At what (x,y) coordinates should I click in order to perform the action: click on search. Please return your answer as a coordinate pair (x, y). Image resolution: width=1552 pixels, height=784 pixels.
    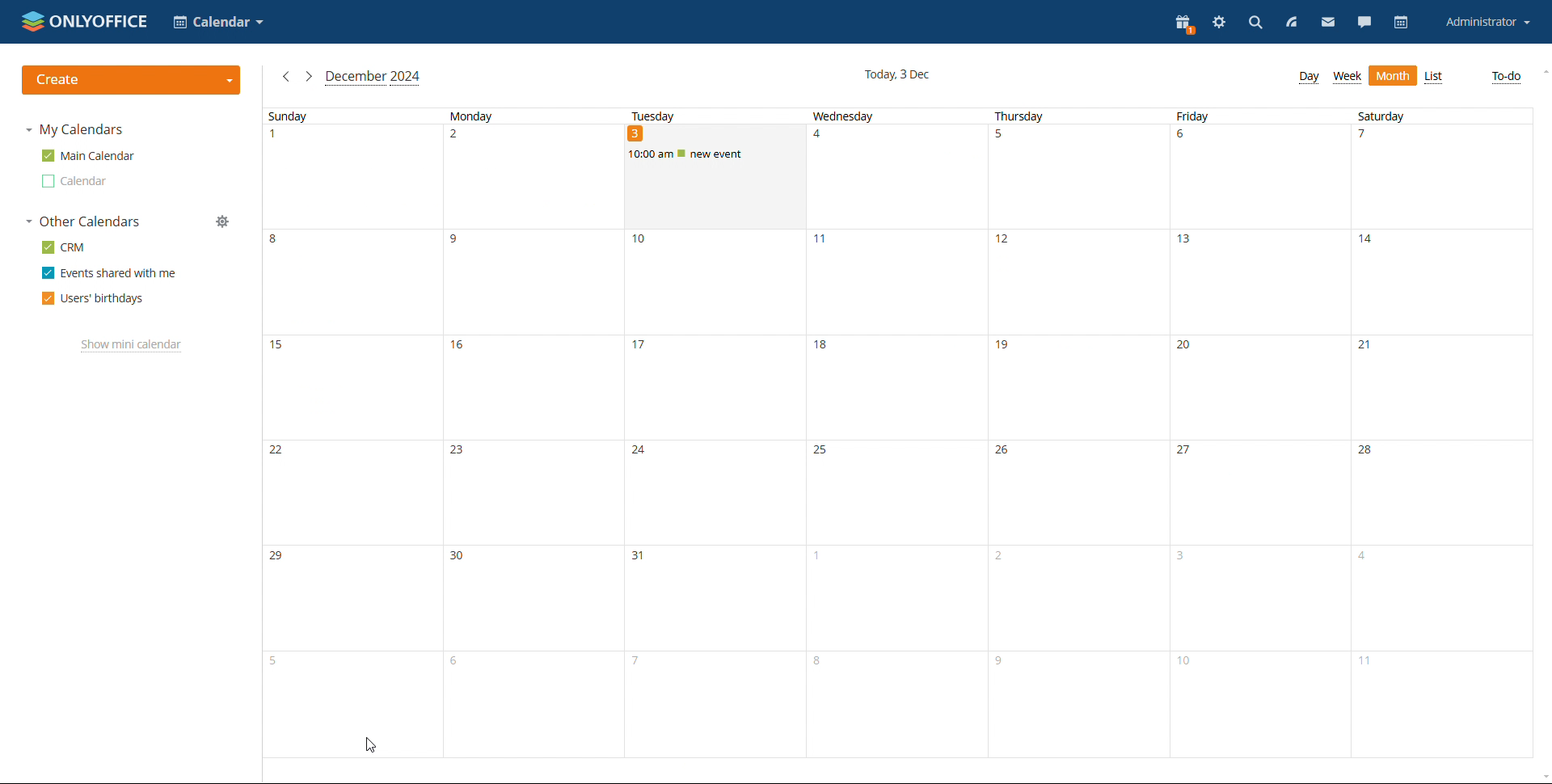
    Looking at the image, I should click on (1255, 23).